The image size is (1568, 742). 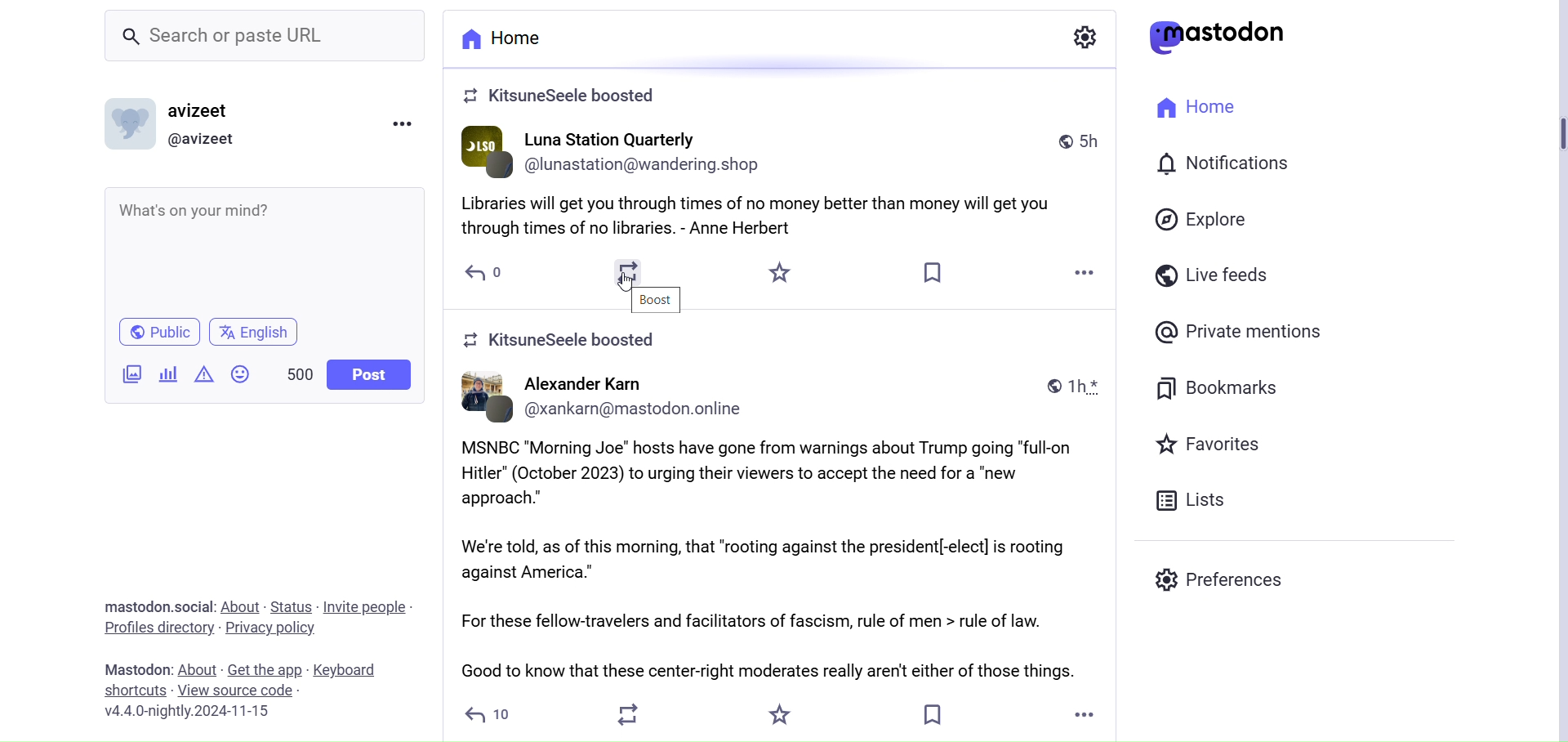 What do you see at coordinates (242, 373) in the screenshot?
I see `Emoji` at bounding box center [242, 373].